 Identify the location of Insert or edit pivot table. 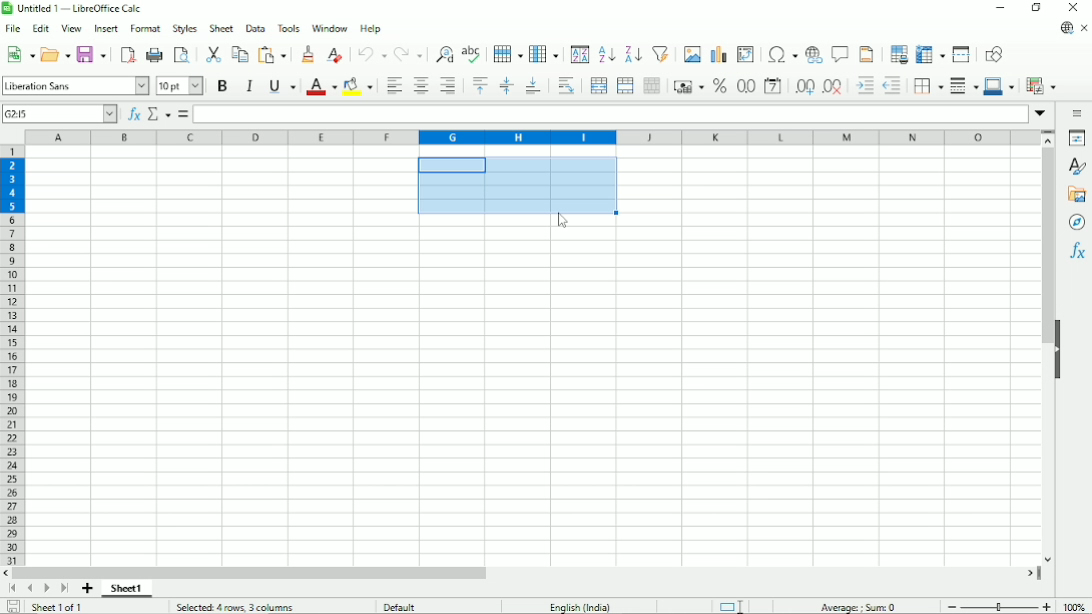
(745, 54).